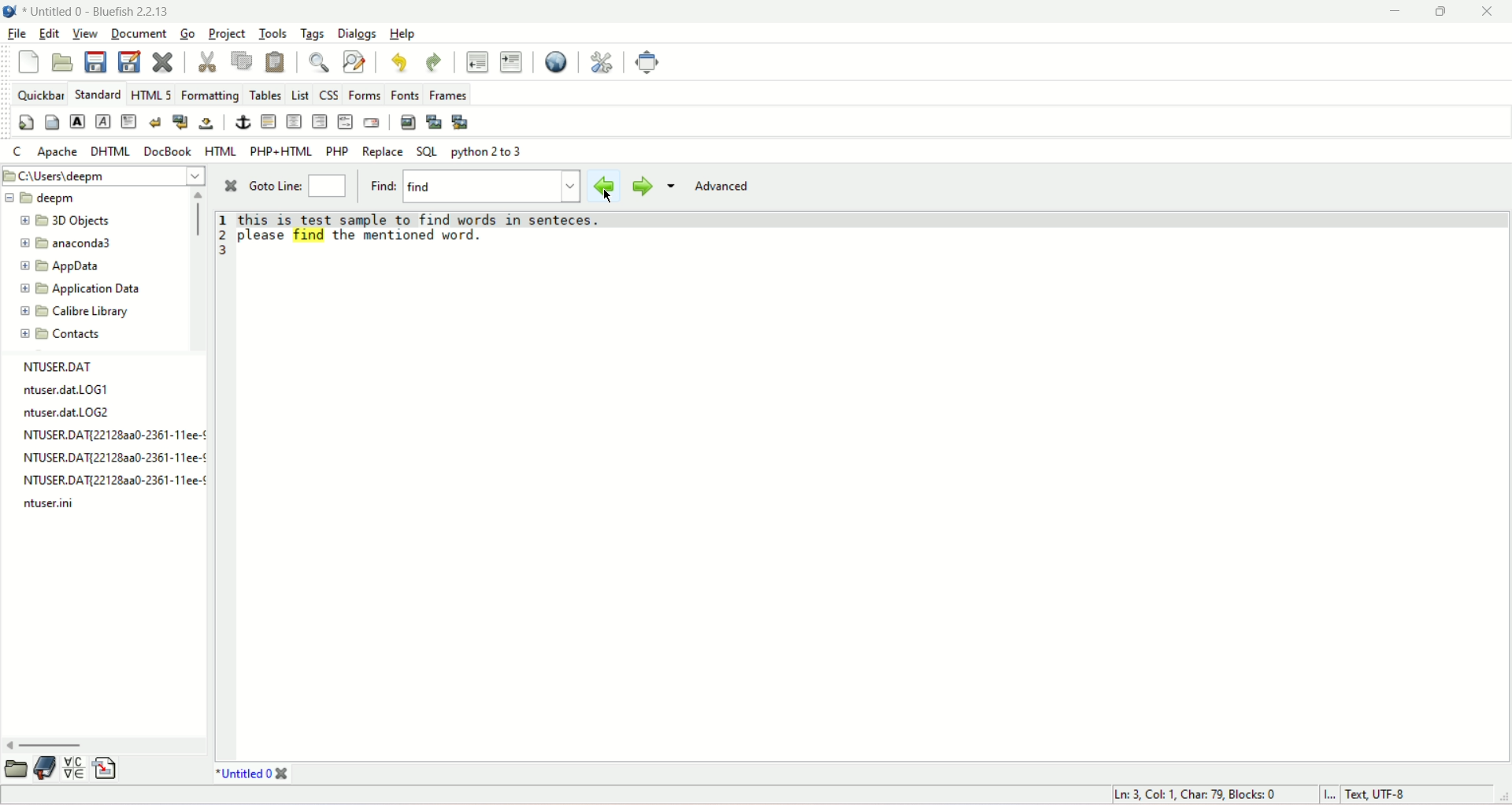  I want to click on please find the mentioned word, so click(358, 234).